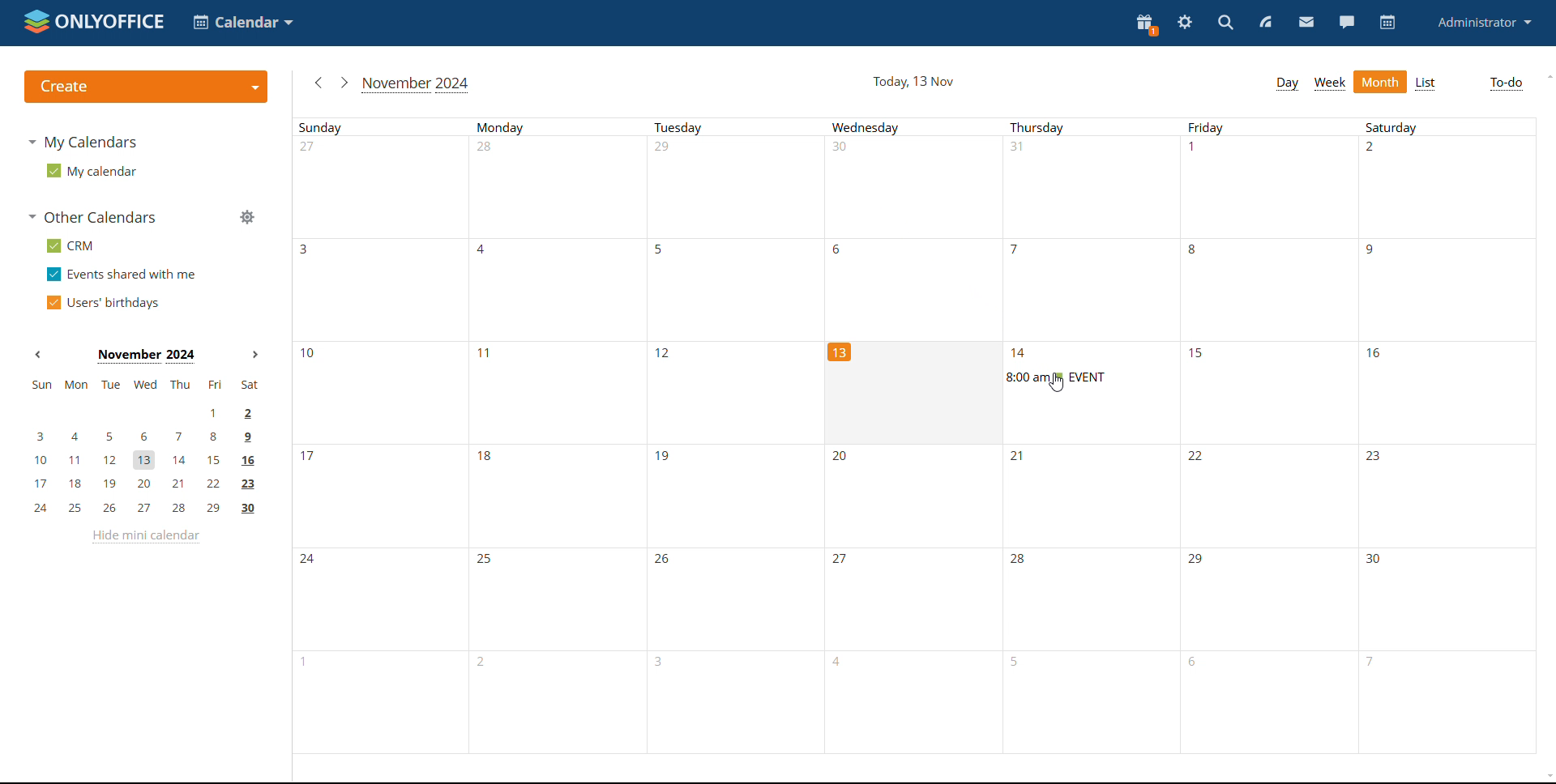 Image resolution: width=1556 pixels, height=784 pixels. I want to click on month view, so click(1380, 82).